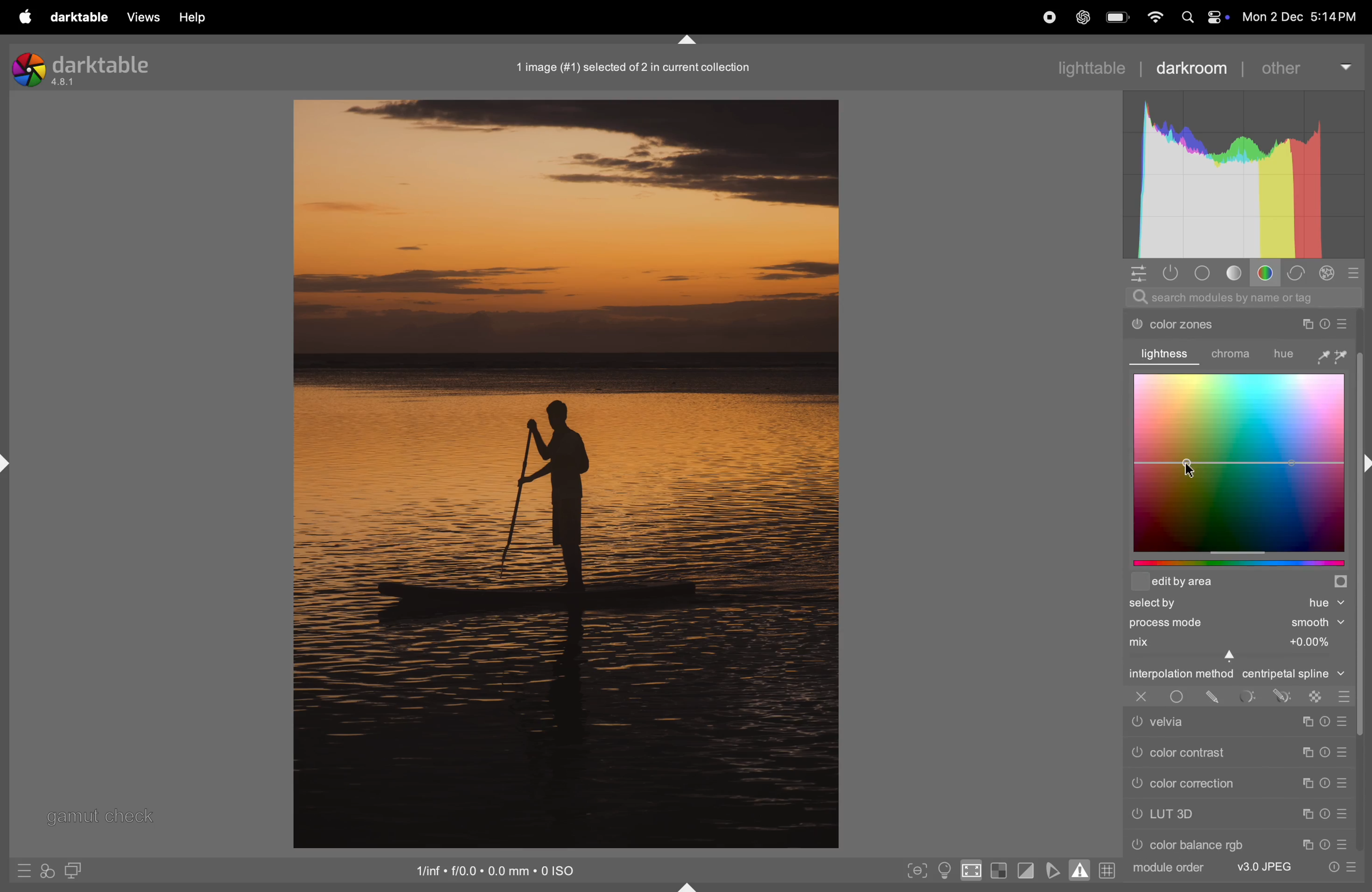  Describe the element at coordinates (1306, 845) in the screenshot. I see `Copy` at that location.